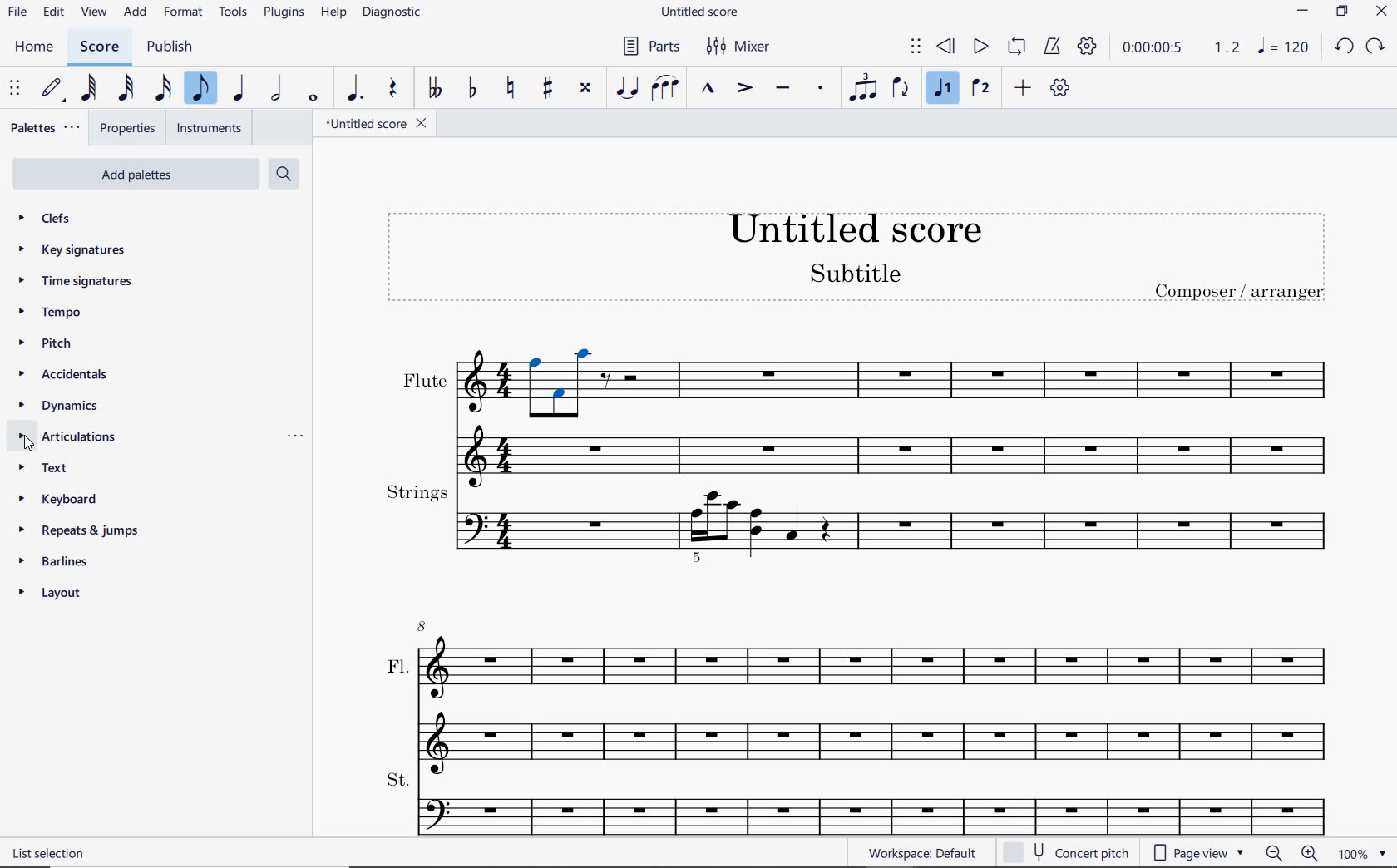 This screenshot has width=1397, height=868. Describe the element at coordinates (435, 89) in the screenshot. I see `TOGGLE DOUBLE-FLAT` at that location.